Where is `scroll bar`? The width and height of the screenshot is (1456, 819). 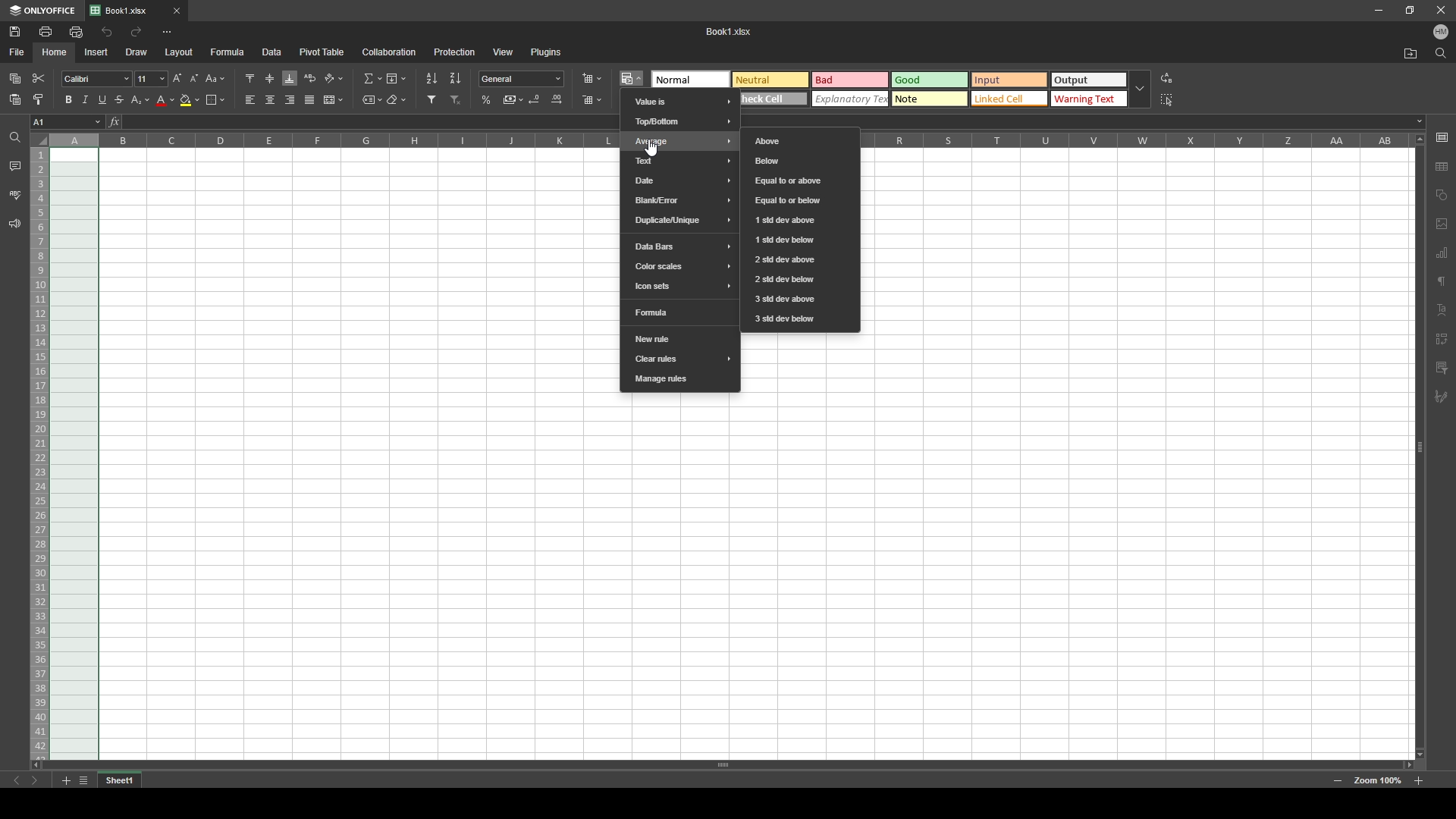 scroll bar is located at coordinates (722, 764).